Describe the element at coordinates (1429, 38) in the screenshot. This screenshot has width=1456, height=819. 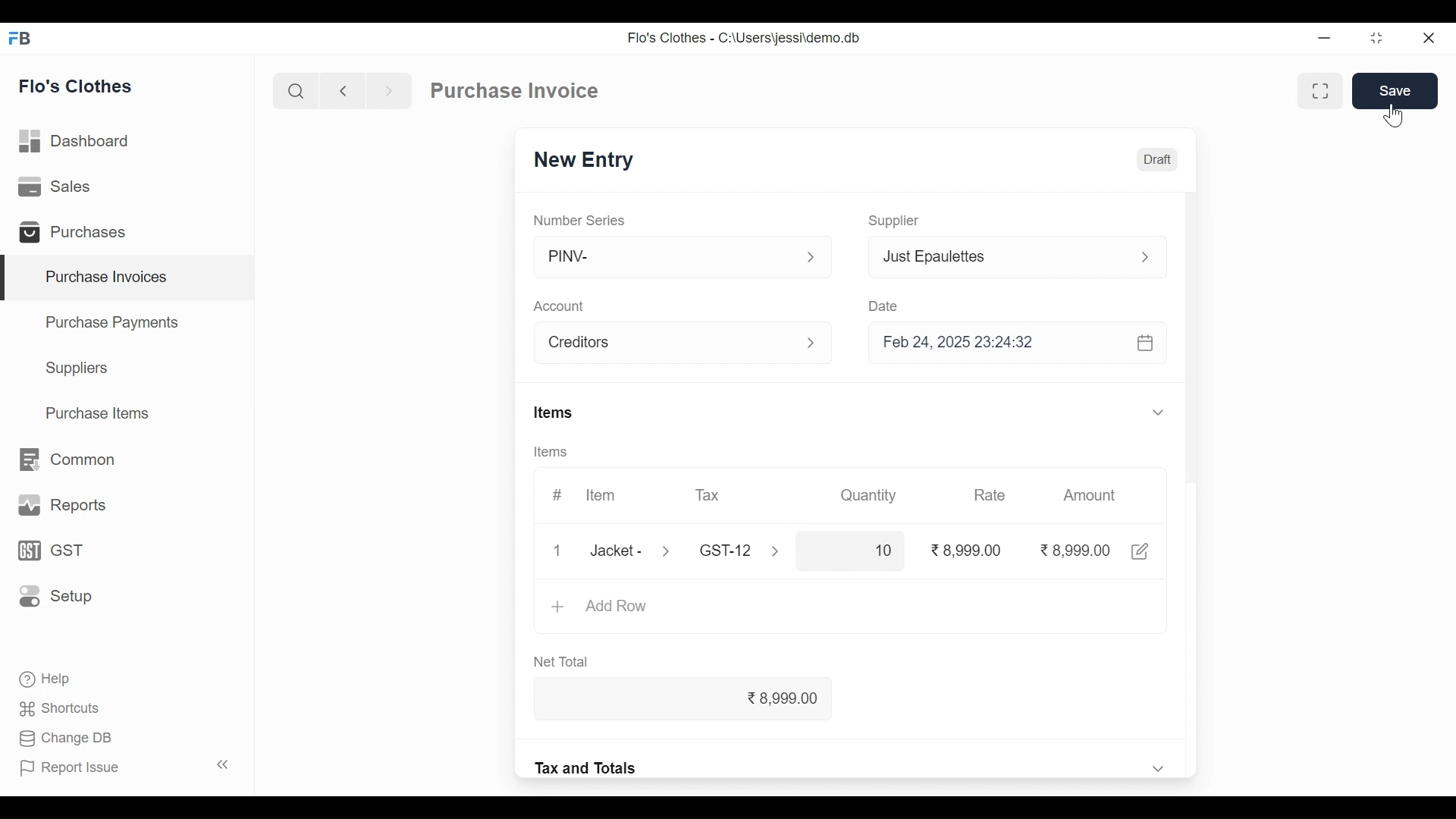
I see `Close` at that location.